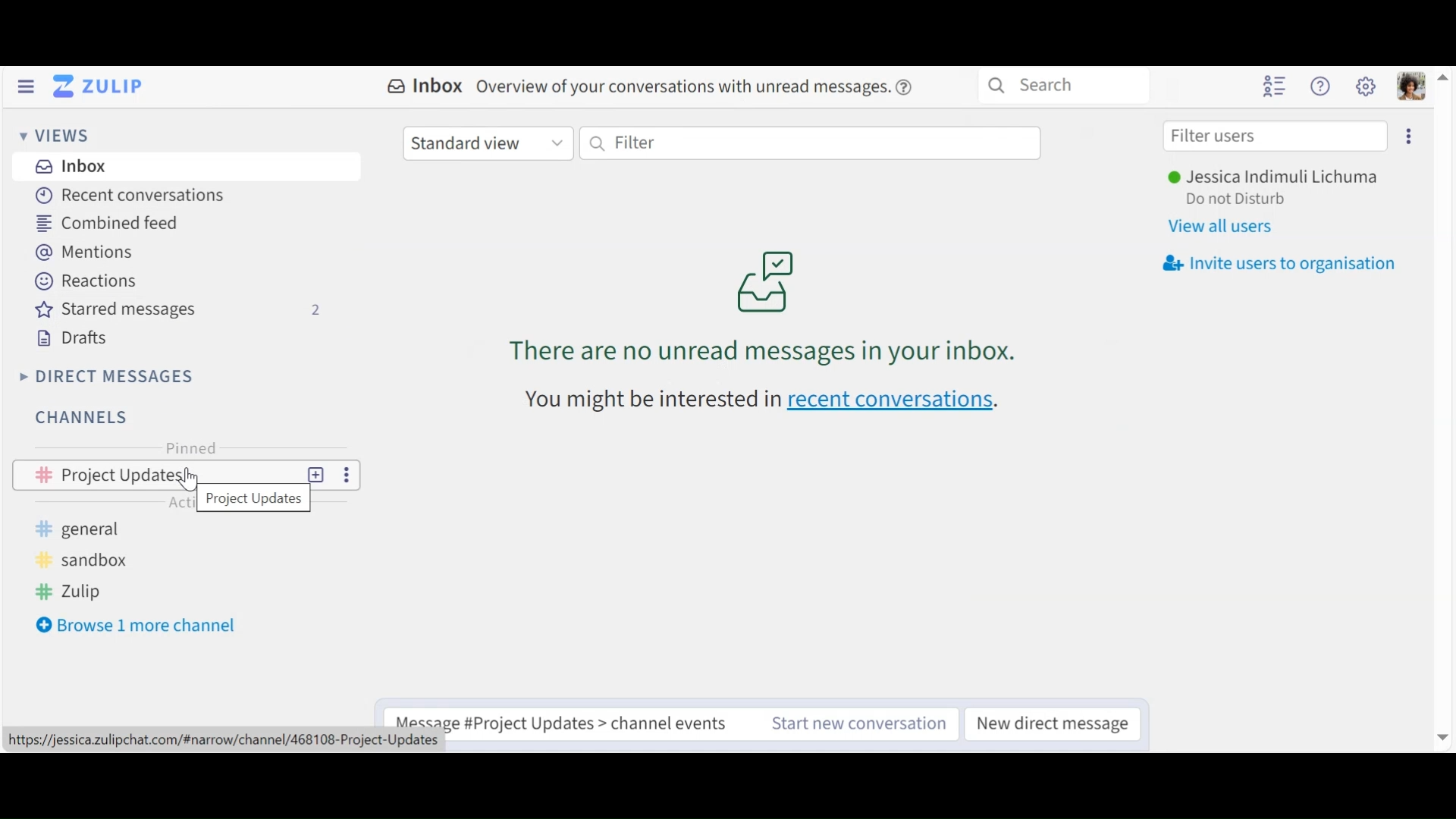  Describe the element at coordinates (486, 143) in the screenshot. I see `Standard view` at that location.